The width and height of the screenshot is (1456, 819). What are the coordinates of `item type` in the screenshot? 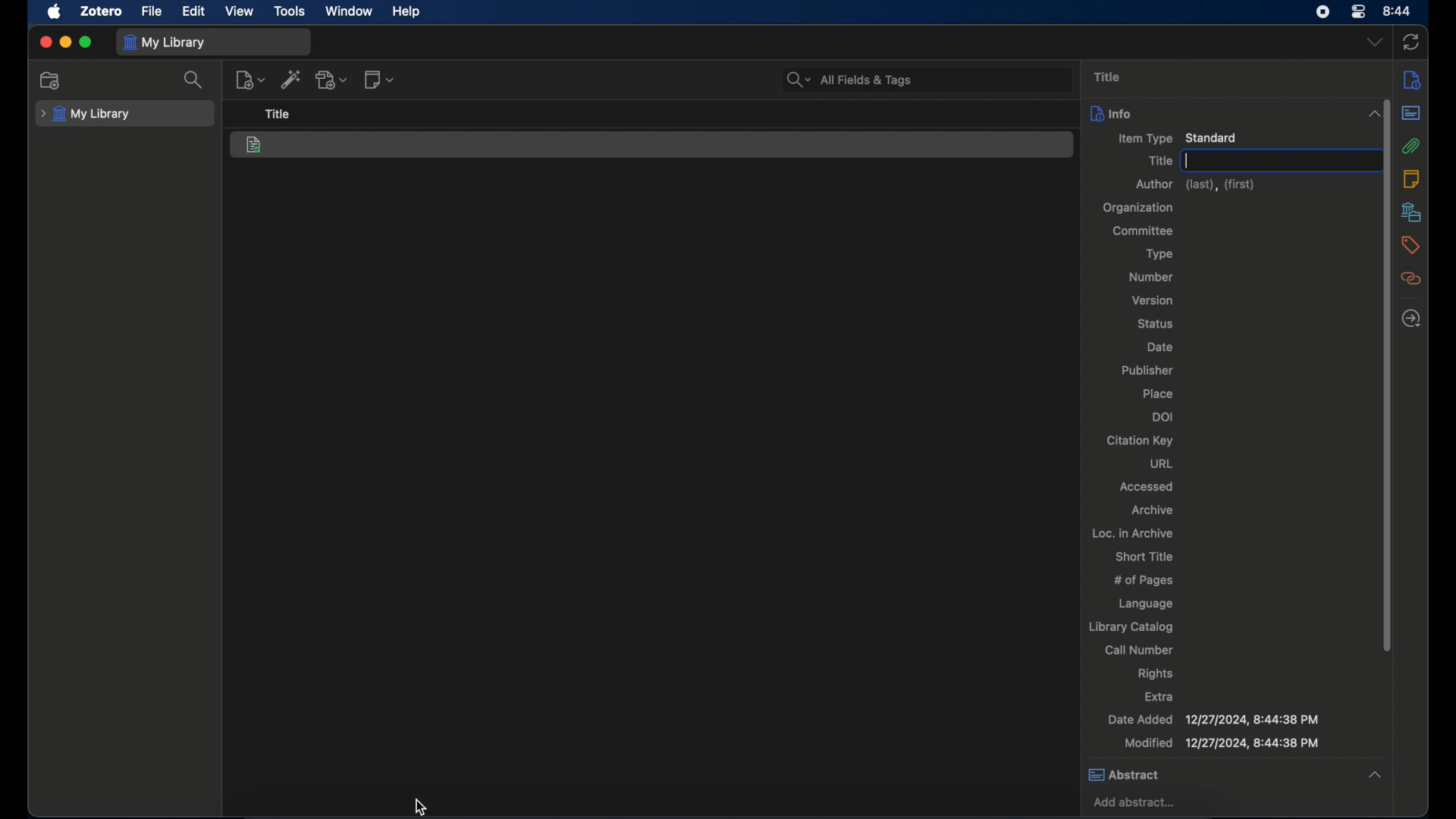 It's located at (1177, 137).